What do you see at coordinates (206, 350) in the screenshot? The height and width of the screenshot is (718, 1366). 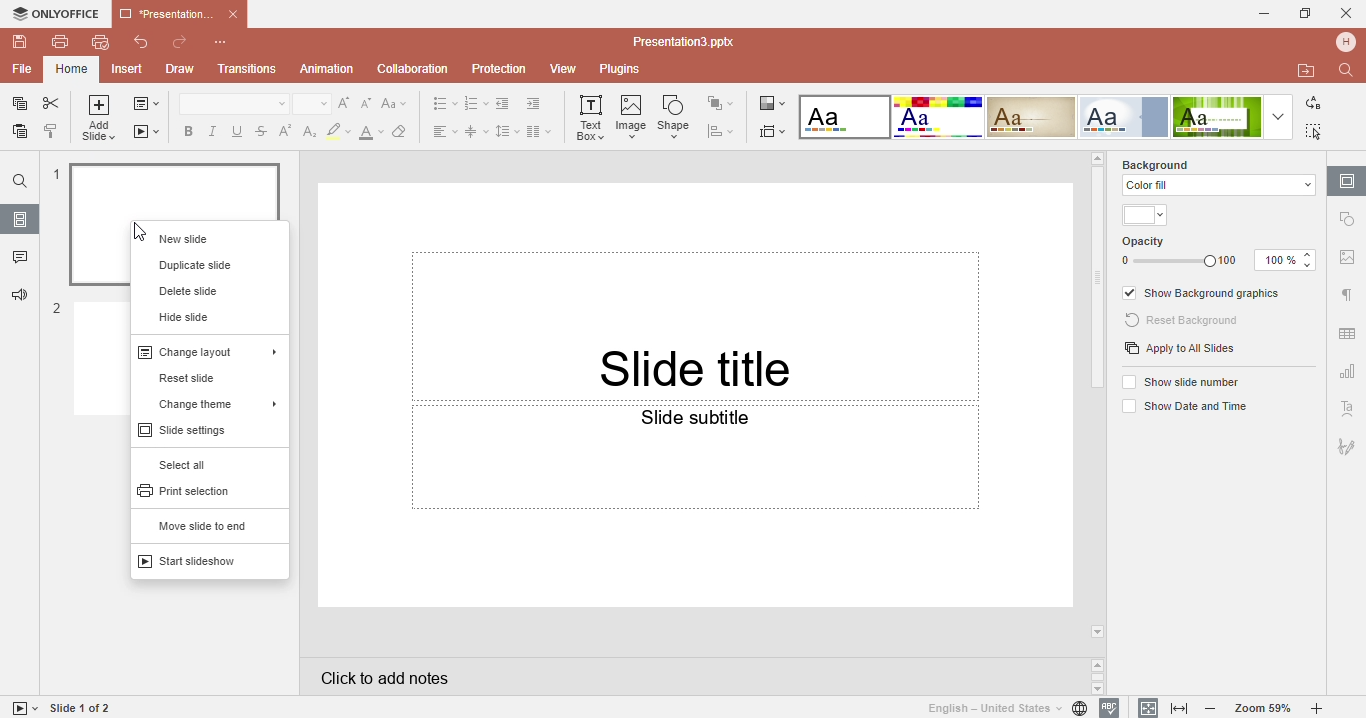 I see `Change layout` at bounding box center [206, 350].